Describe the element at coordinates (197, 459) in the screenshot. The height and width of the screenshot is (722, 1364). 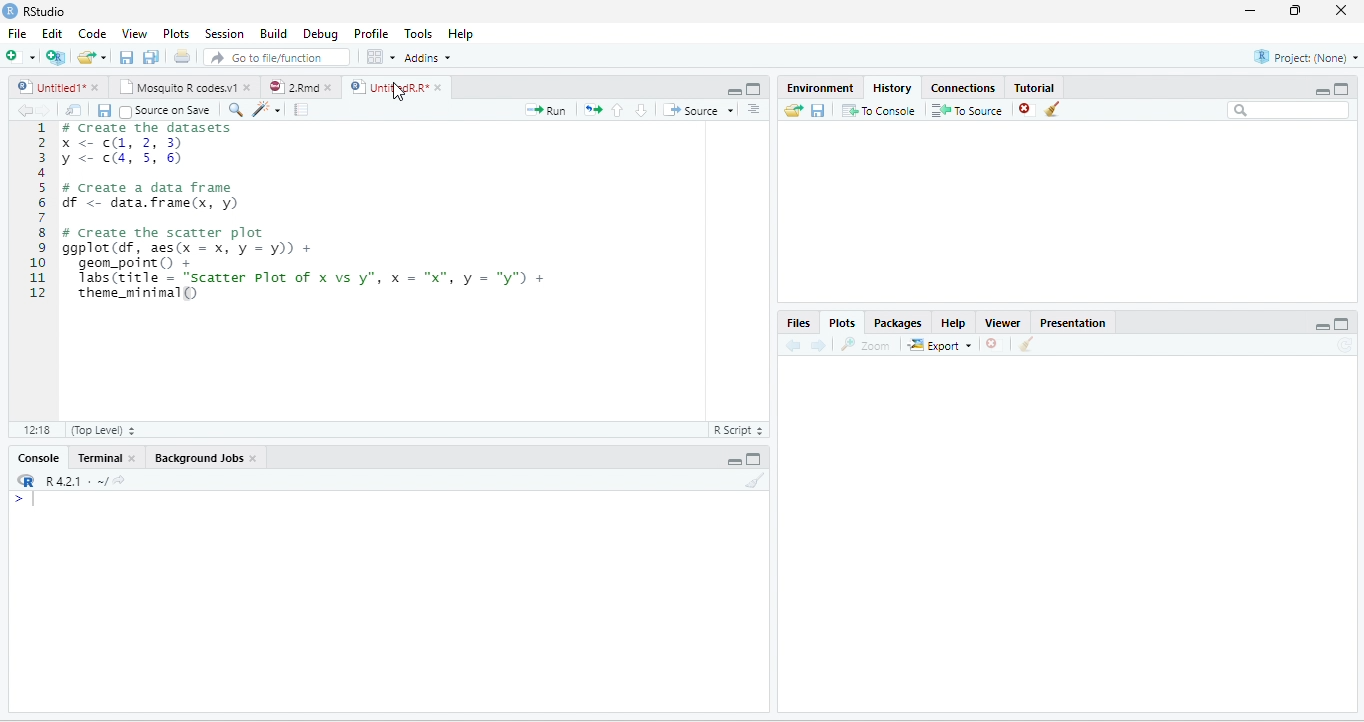
I see `Background Jobs` at that location.